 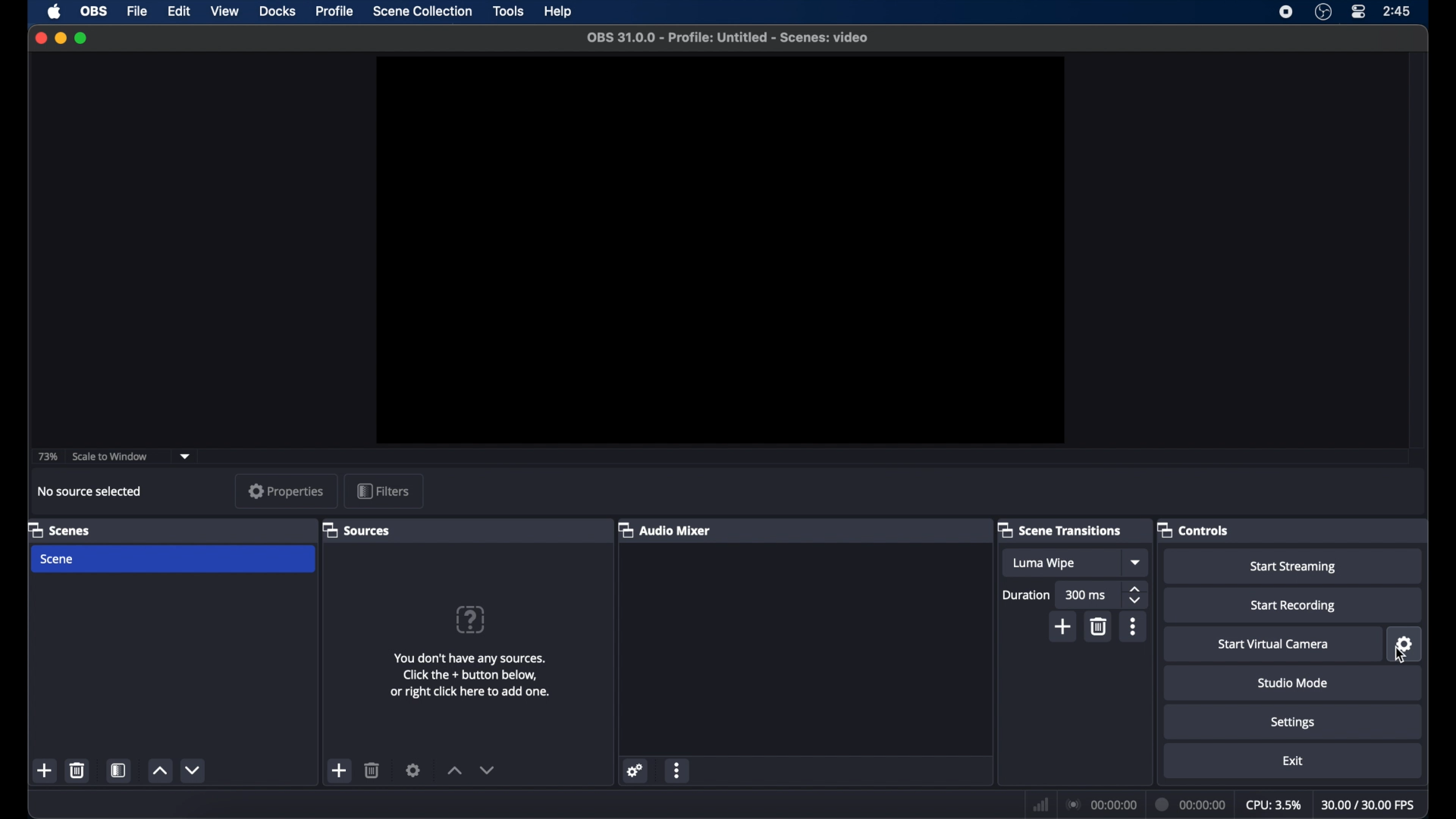 What do you see at coordinates (1272, 804) in the screenshot?
I see `cpu` at bounding box center [1272, 804].